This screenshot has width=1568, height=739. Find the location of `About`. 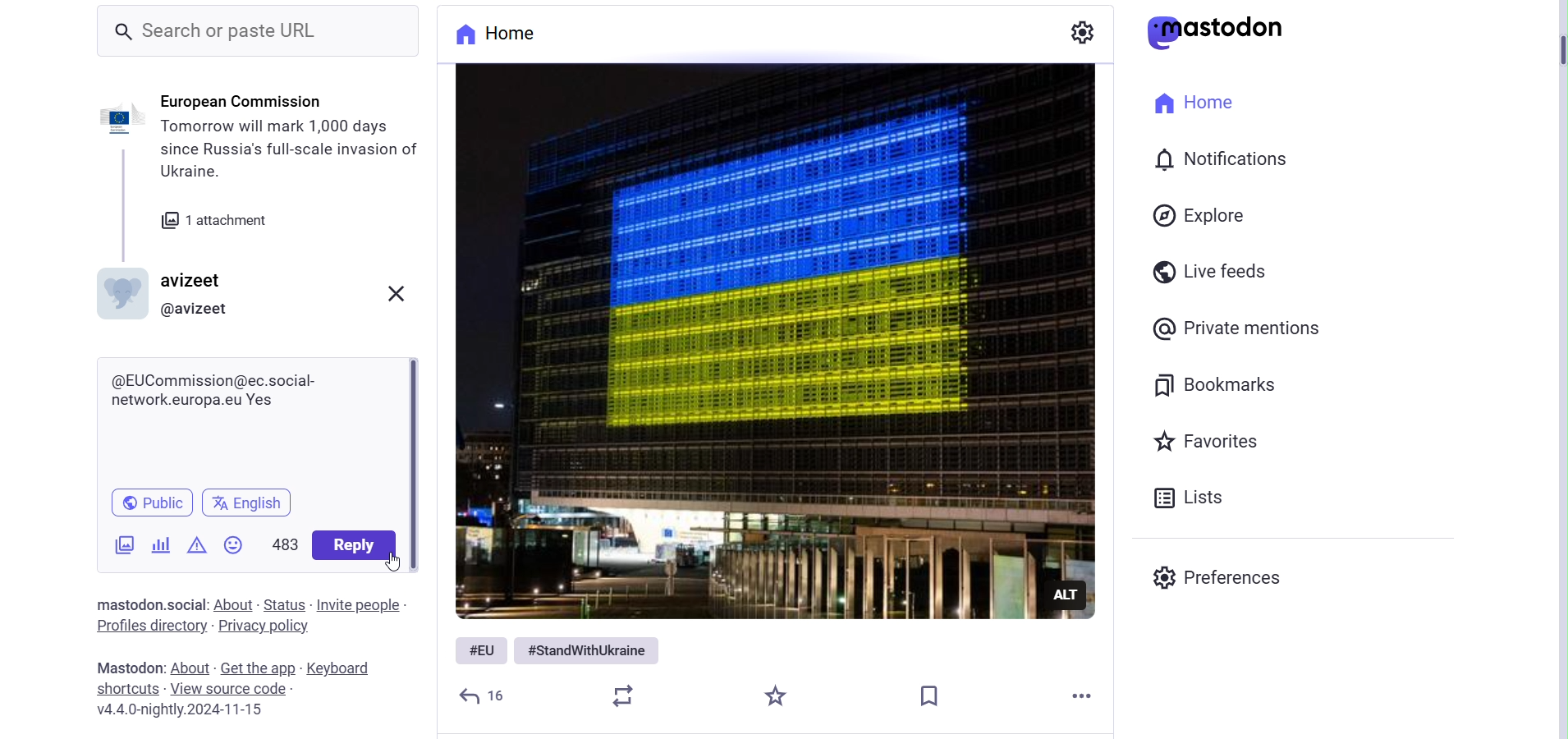

About is located at coordinates (234, 604).